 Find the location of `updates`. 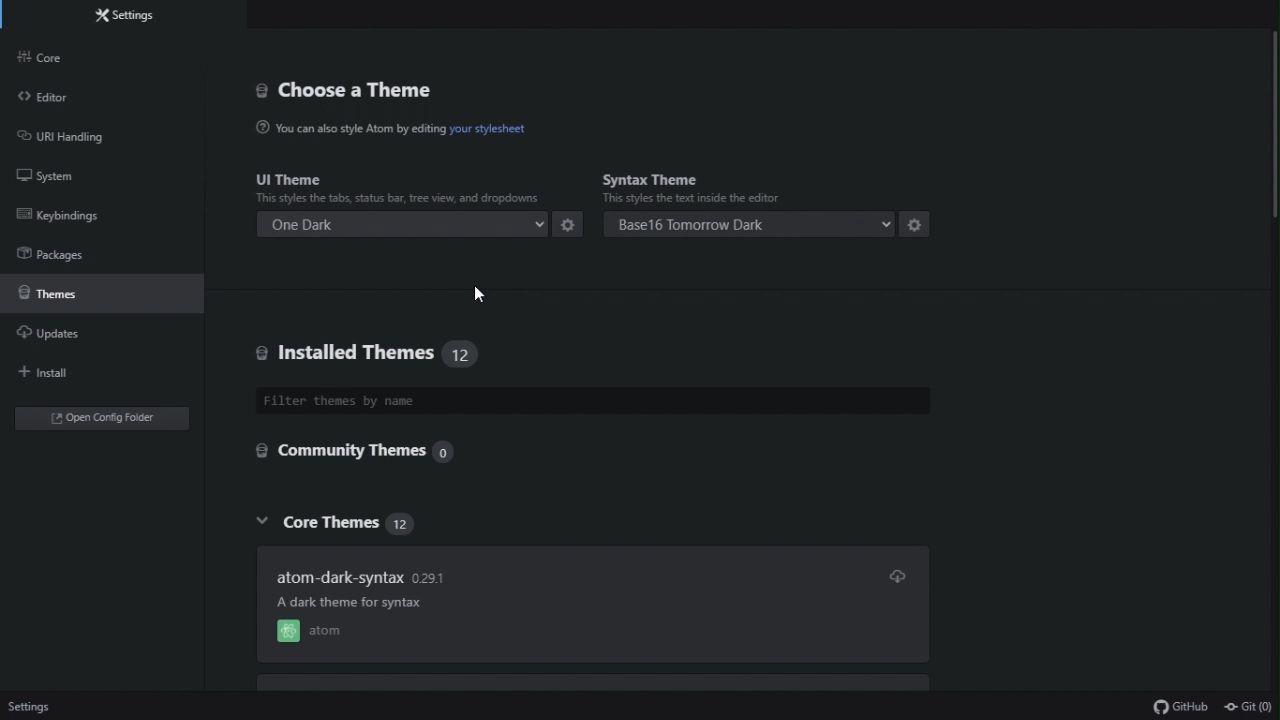

updates is located at coordinates (88, 334).